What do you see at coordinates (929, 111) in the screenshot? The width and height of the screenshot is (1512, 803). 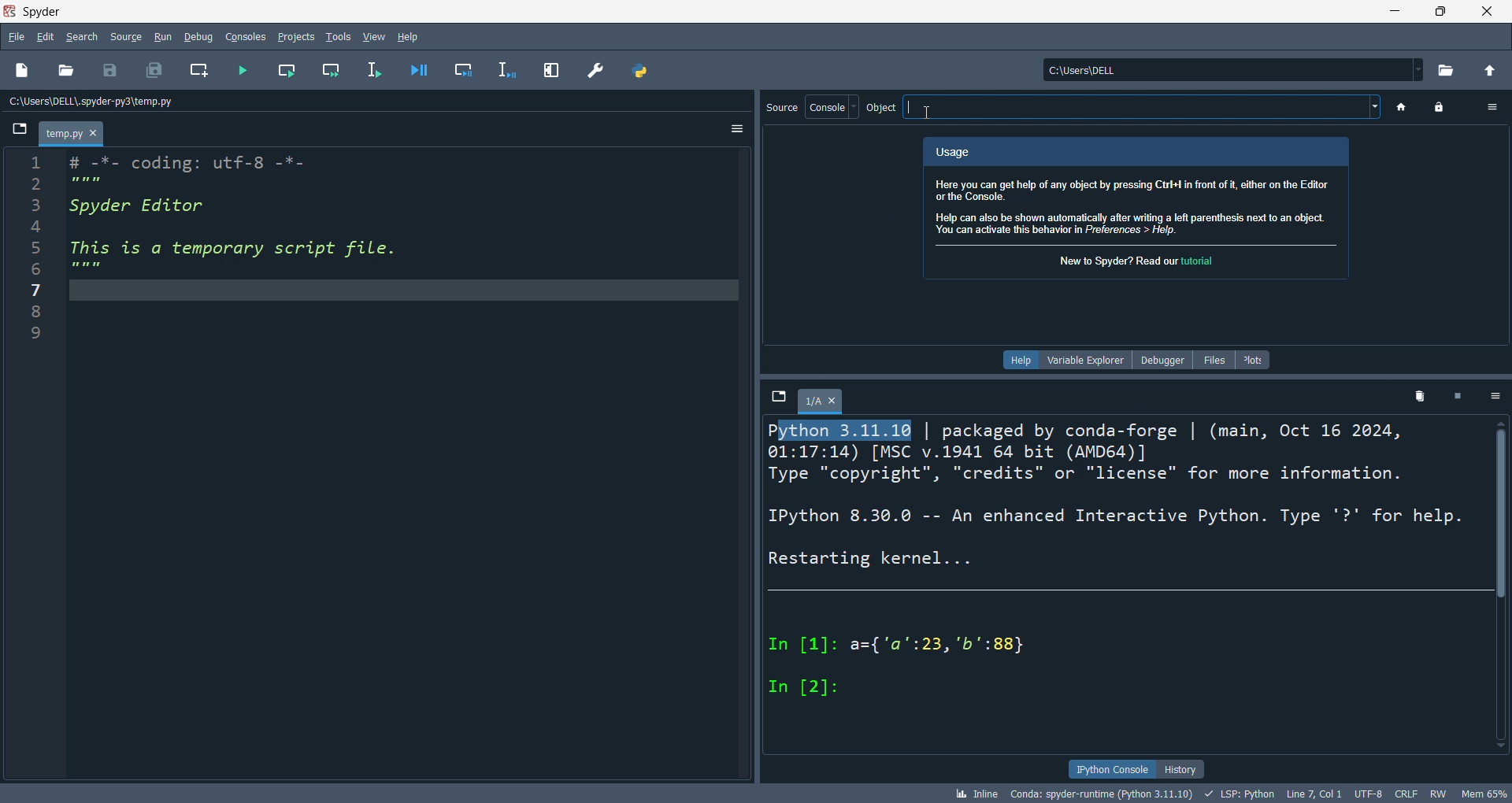 I see `cursor` at bounding box center [929, 111].